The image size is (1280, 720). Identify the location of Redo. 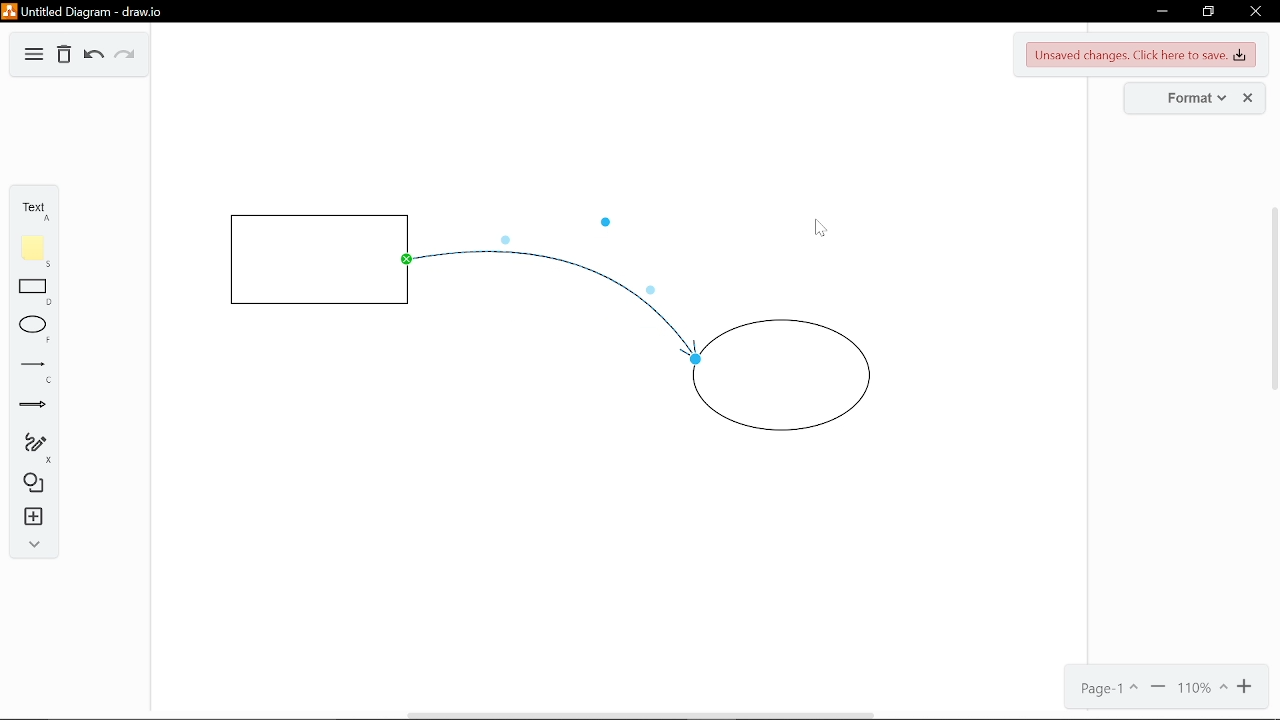
(127, 58).